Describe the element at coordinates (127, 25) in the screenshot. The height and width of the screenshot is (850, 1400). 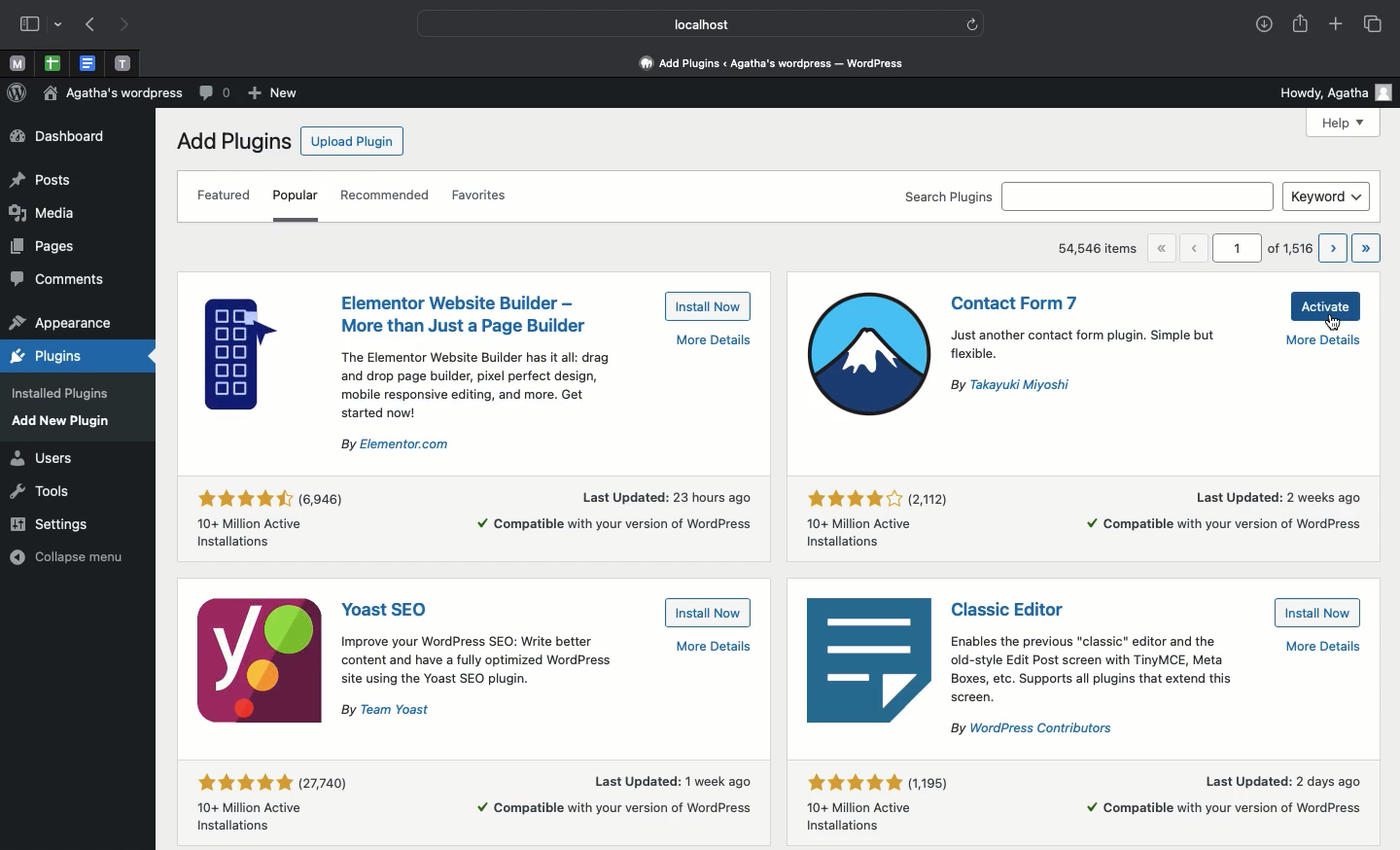
I see `Next page` at that location.